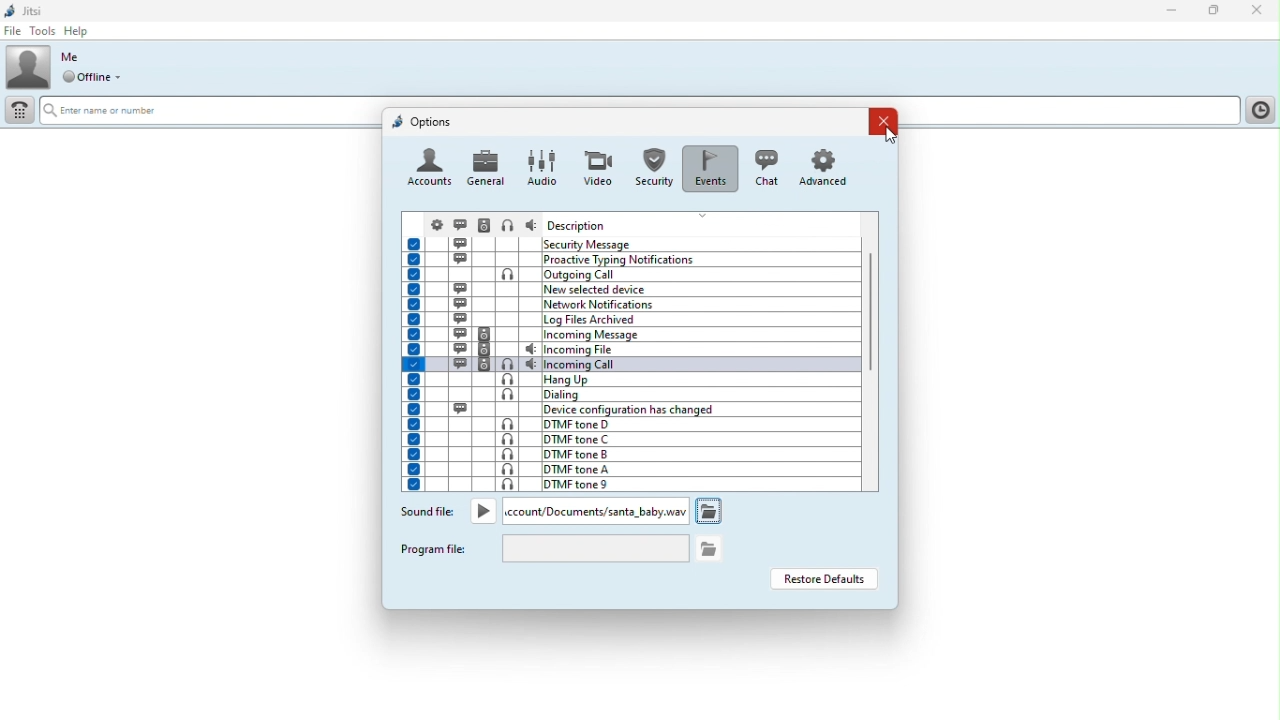 The image size is (1280, 720). Describe the element at coordinates (80, 31) in the screenshot. I see `help` at that location.